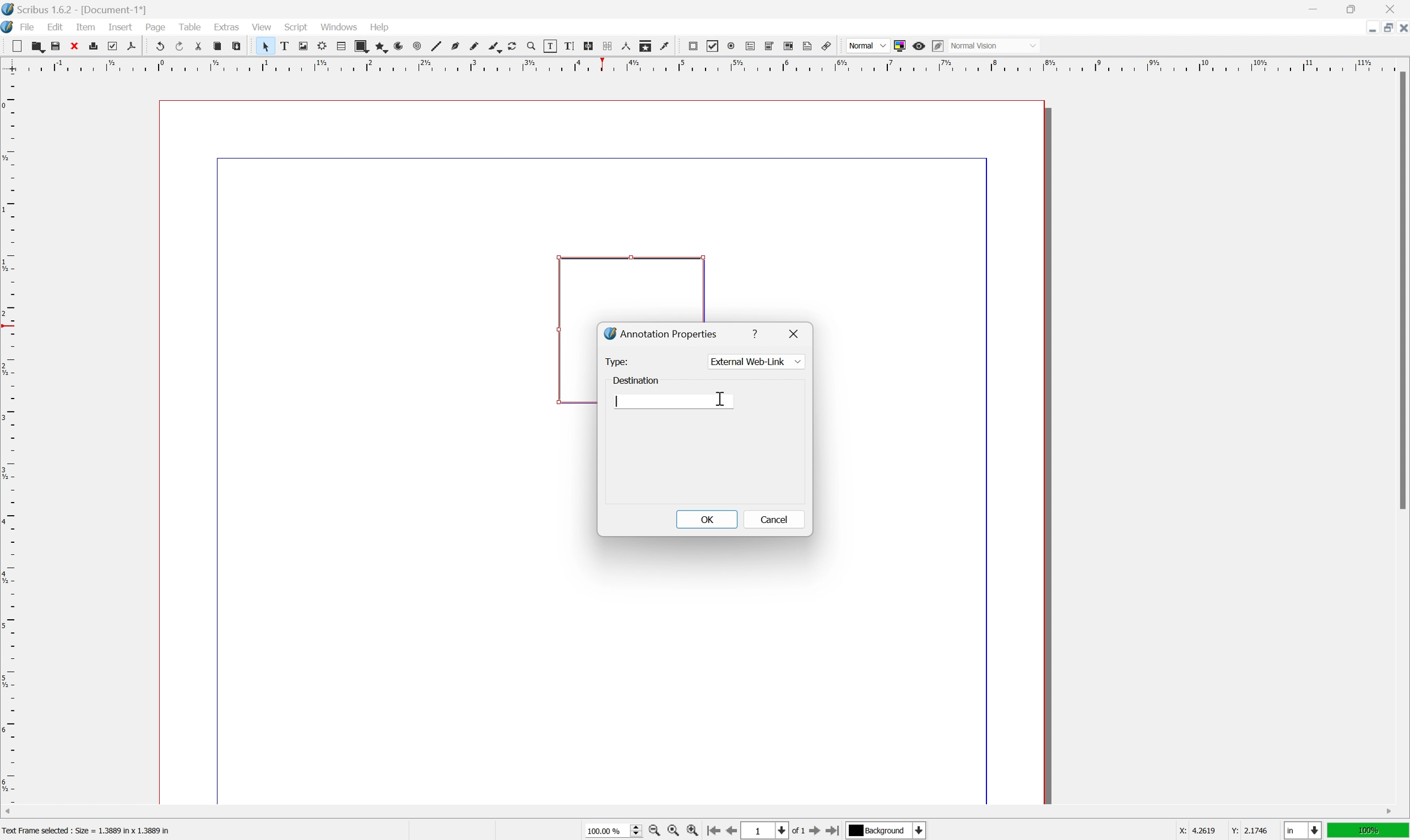 The width and height of the screenshot is (1410, 840). I want to click on undo, so click(158, 45).